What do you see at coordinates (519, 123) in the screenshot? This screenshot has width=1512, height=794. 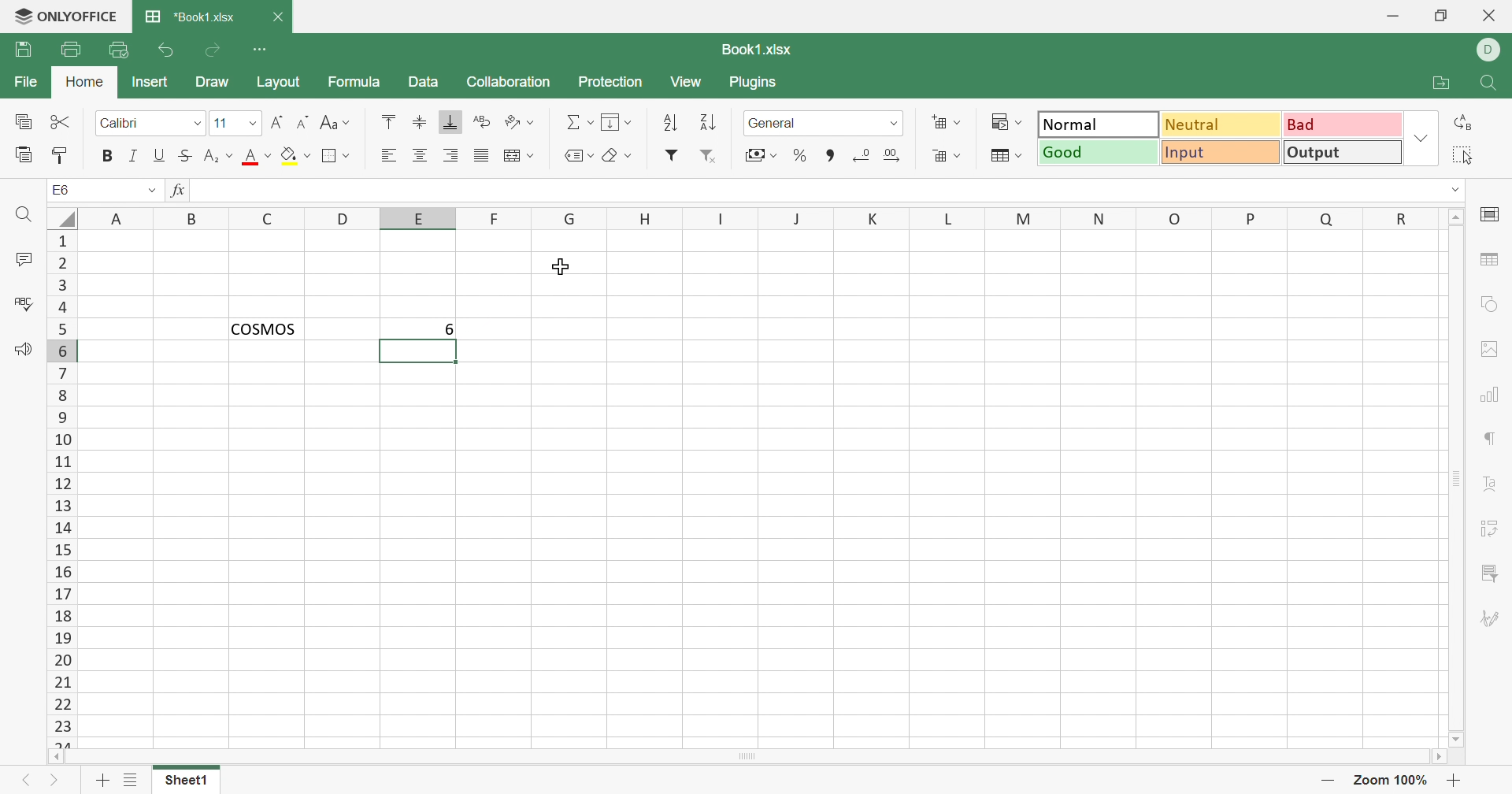 I see `Orientation` at bounding box center [519, 123].